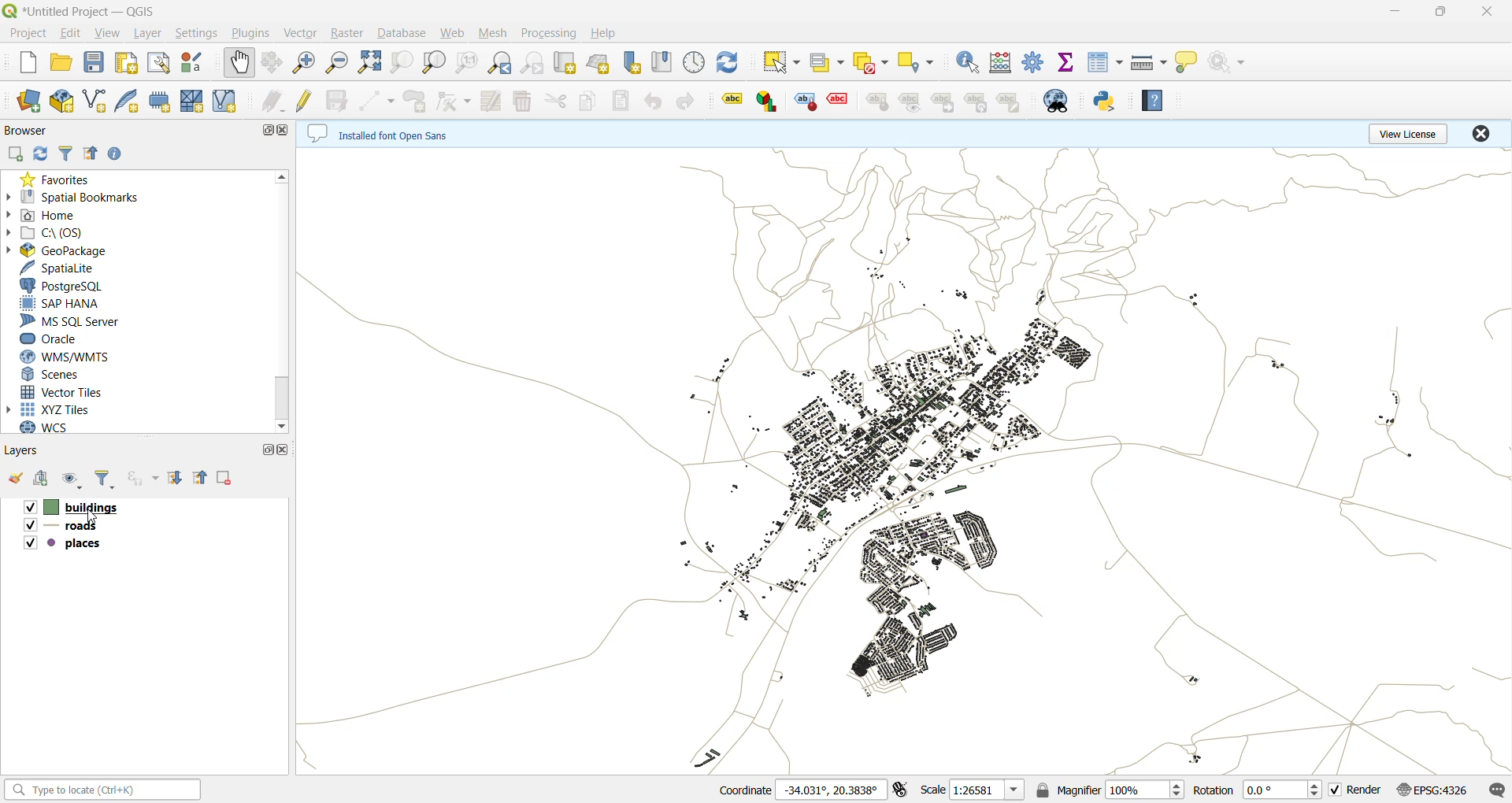 The width and height of the screenshot is (1512, 803). Describe the element at coordinates (381, 99) in the screenshot. I see `digitize` at that location.